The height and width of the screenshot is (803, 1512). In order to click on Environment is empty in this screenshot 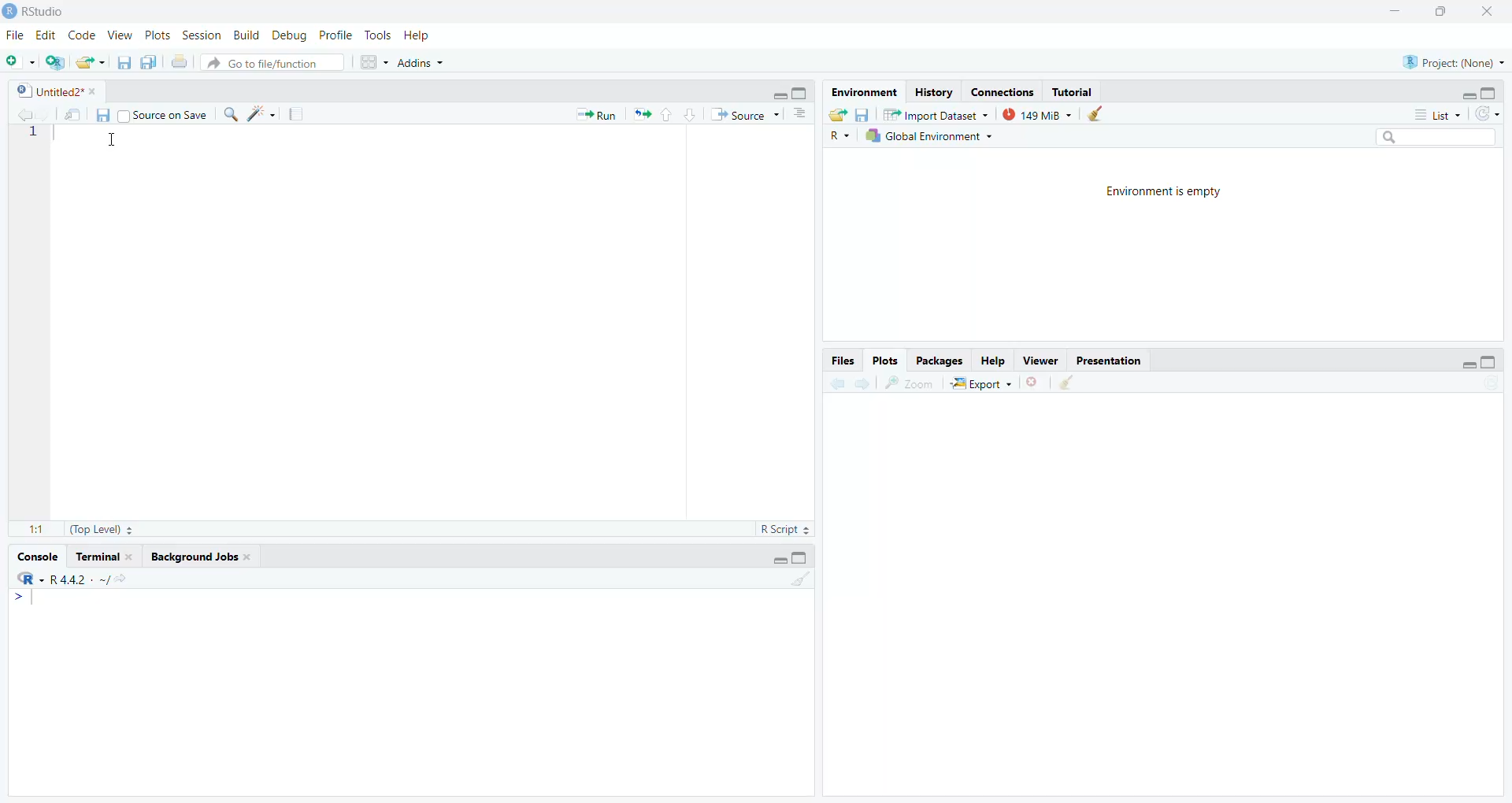, I will do `click(1173, 192)`.